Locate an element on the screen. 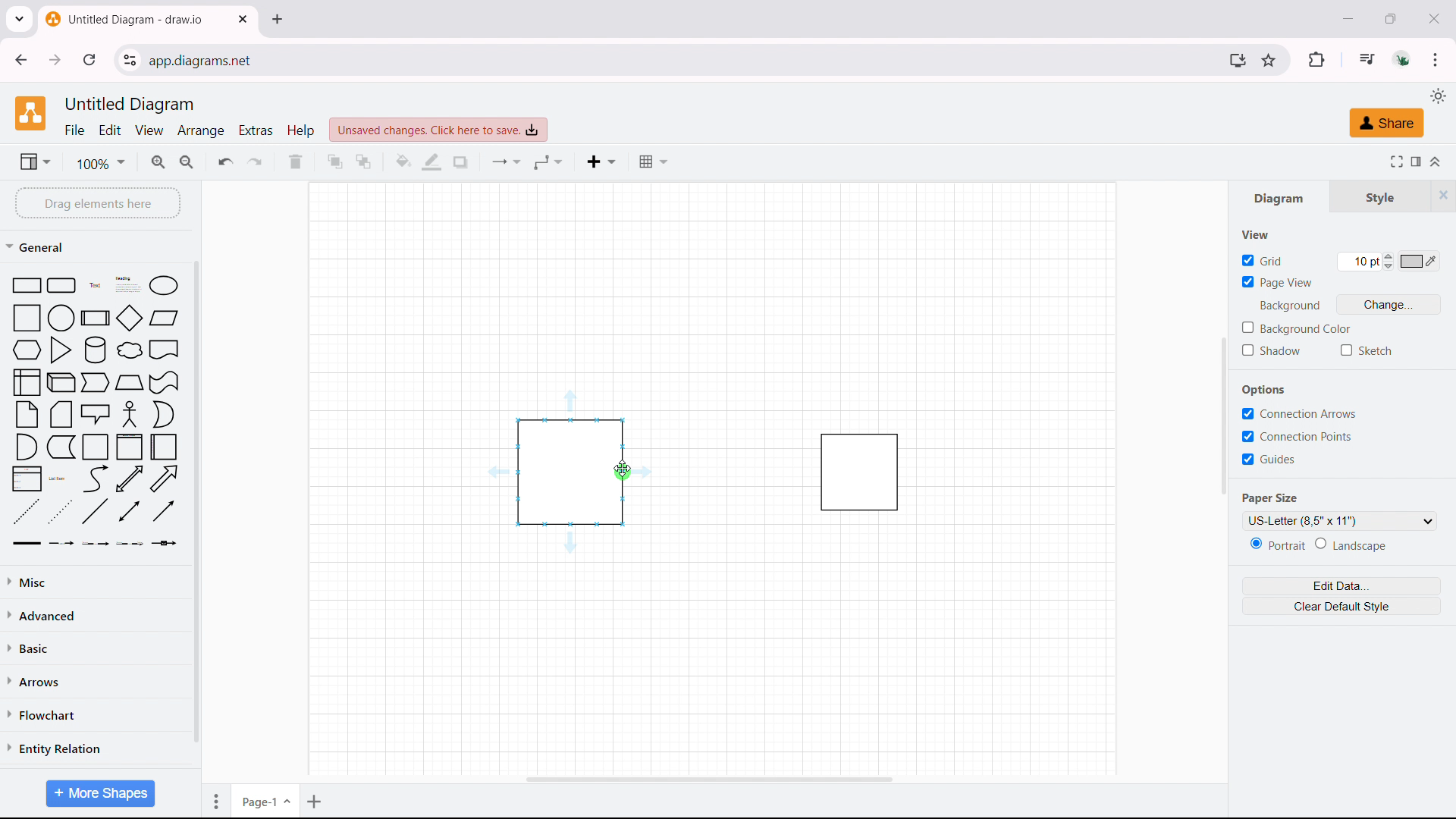 This screenshot has width=1456, height=819. arrows is located at coordinates (95, 680).